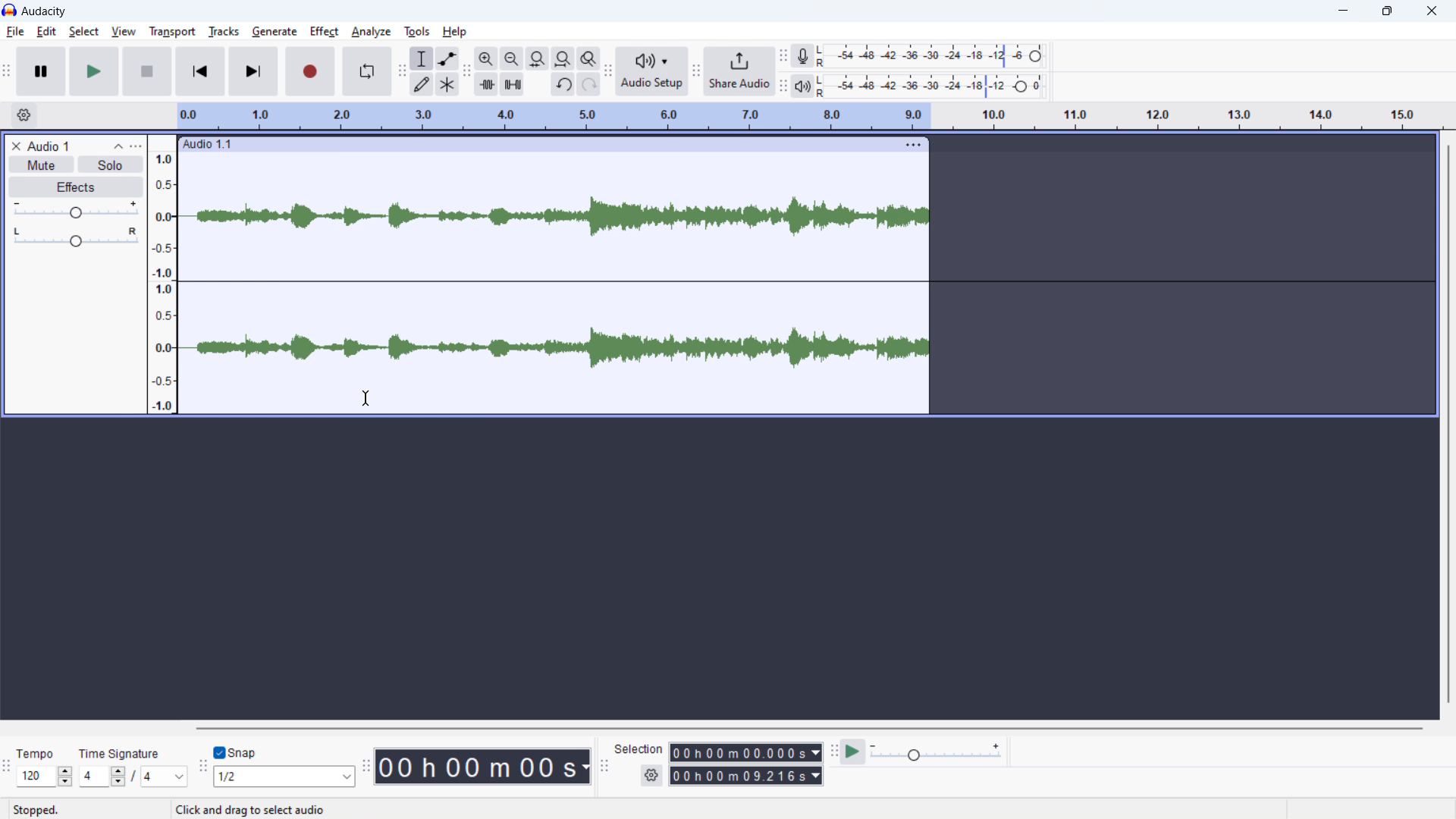  What do you see at coordinates (1443, 425) in the screenshot?
I see `Vertical scrollbar` at bounding box center [1443, 425].